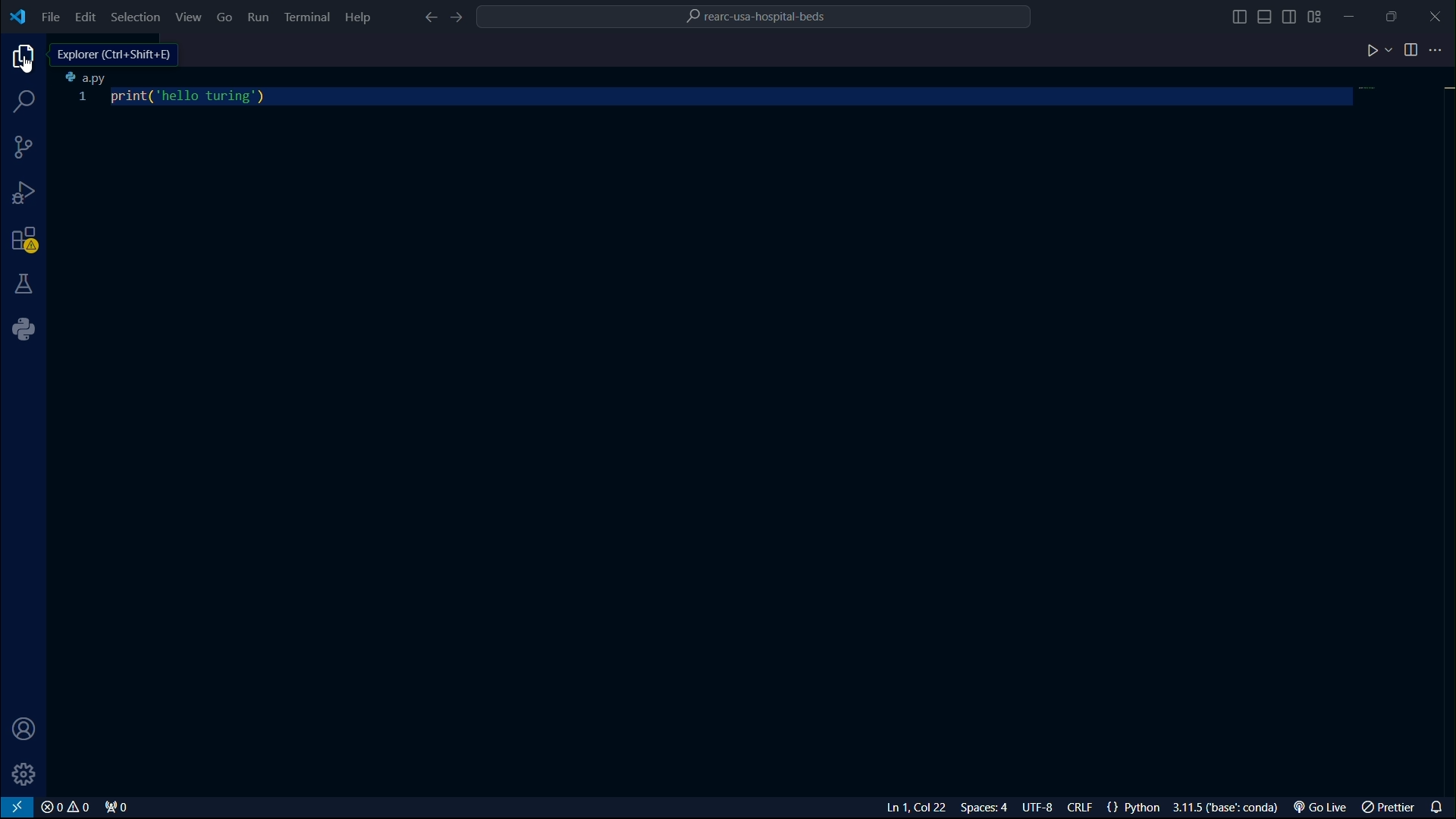 This screenshot has height=819, width=1456. I want to click on help menu, so click(359, 17).